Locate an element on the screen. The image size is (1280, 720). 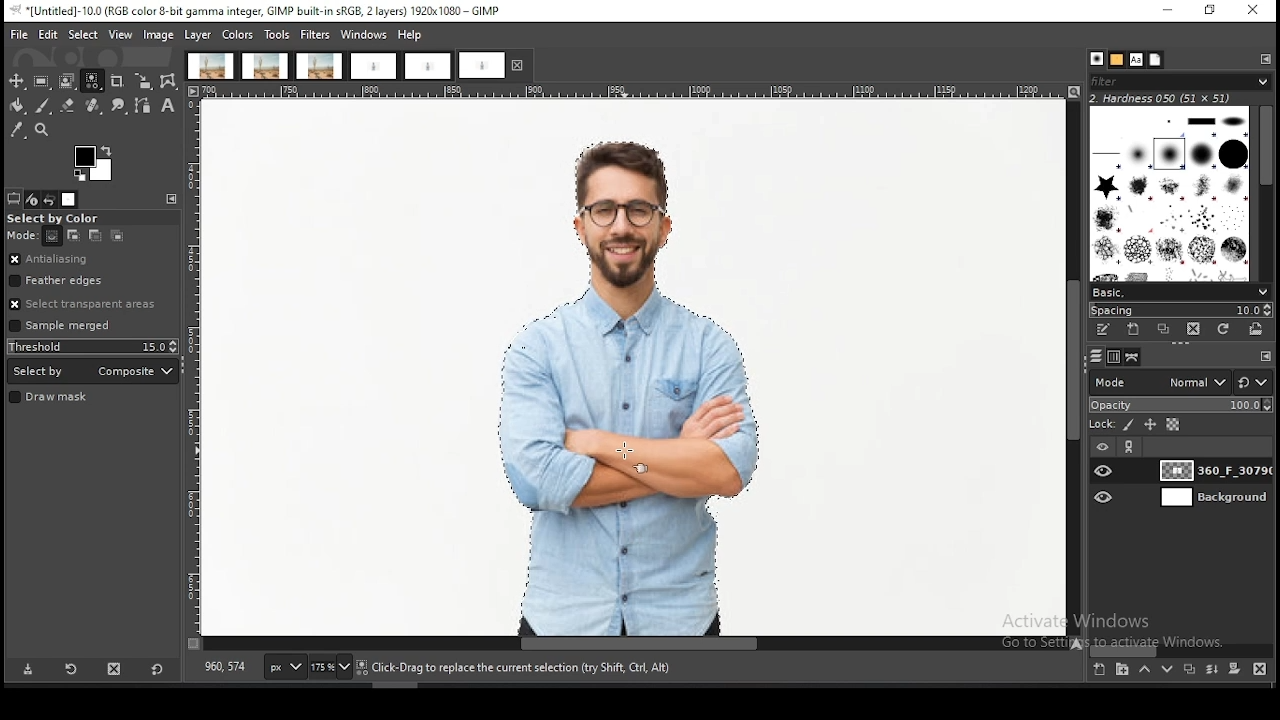
add to the current selection is located at coordinates (71, 236).